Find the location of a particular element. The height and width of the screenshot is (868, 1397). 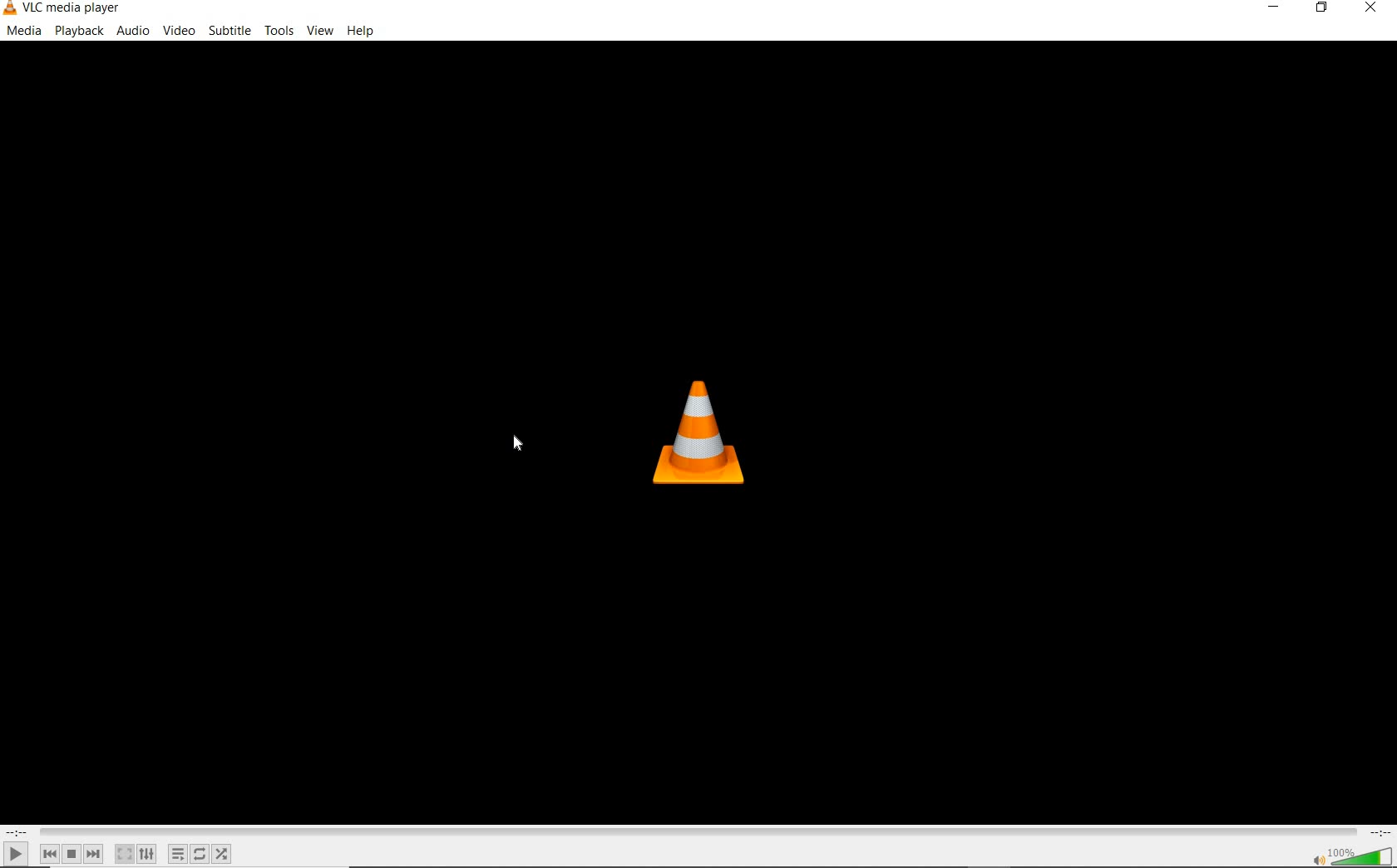

restore down is located at coordinates (1325, 8).